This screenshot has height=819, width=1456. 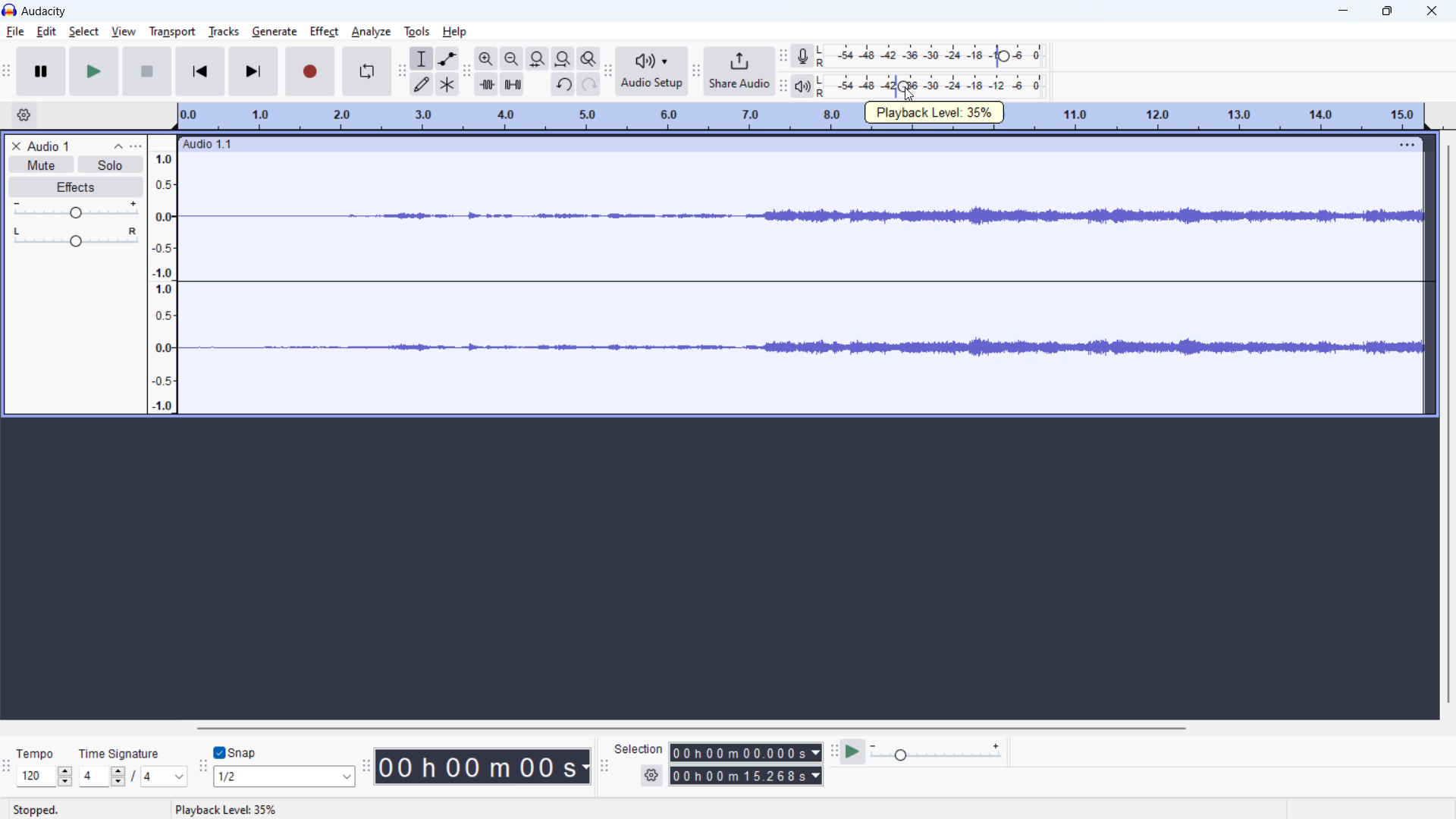 What do you see at coordinates (173, 32) in the screenshot?
I see `transport` at bounding box center [173, 32].